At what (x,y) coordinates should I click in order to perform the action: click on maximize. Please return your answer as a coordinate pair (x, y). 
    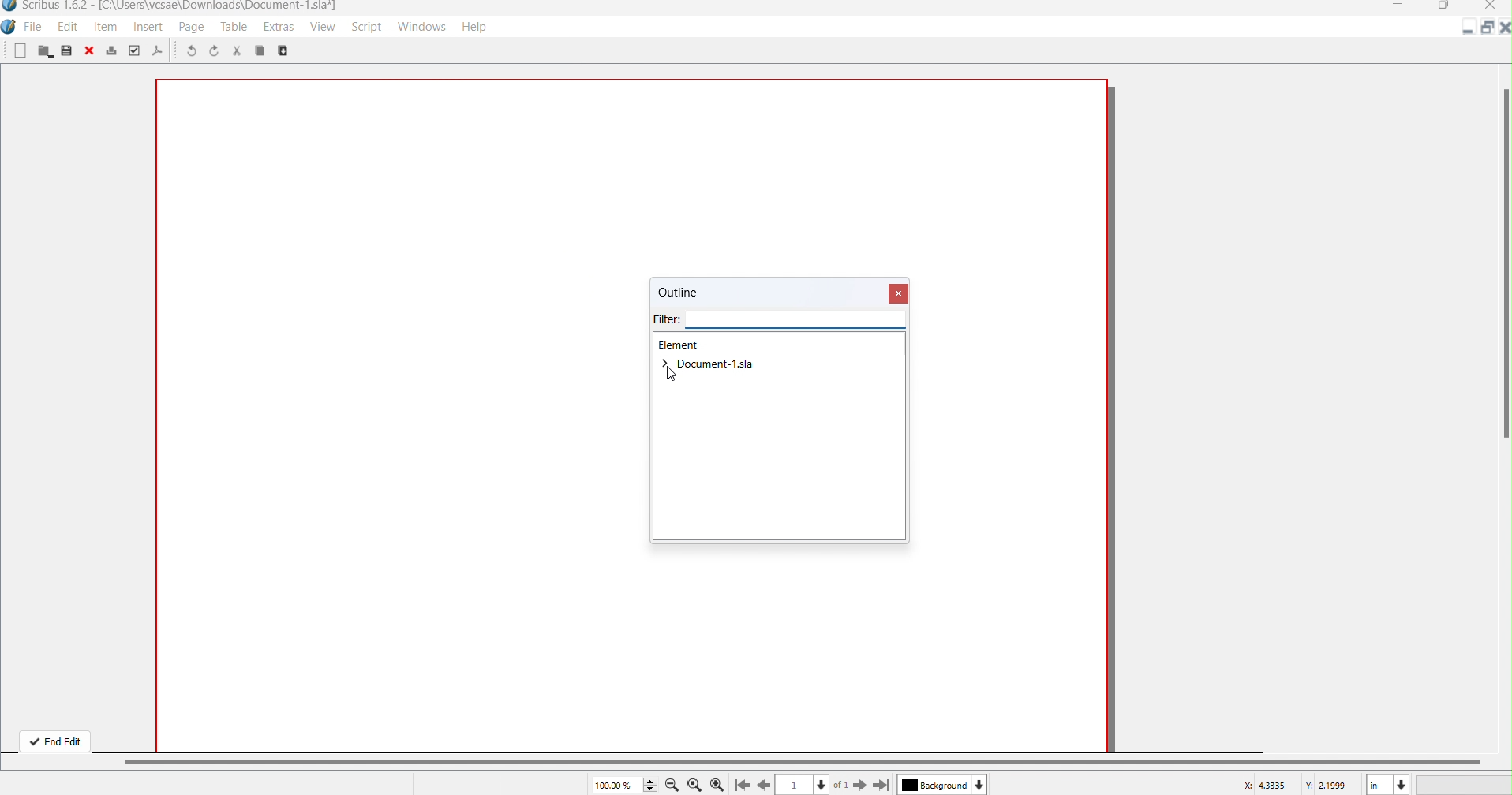
    Looking at the image, I should click on (1485, 28).